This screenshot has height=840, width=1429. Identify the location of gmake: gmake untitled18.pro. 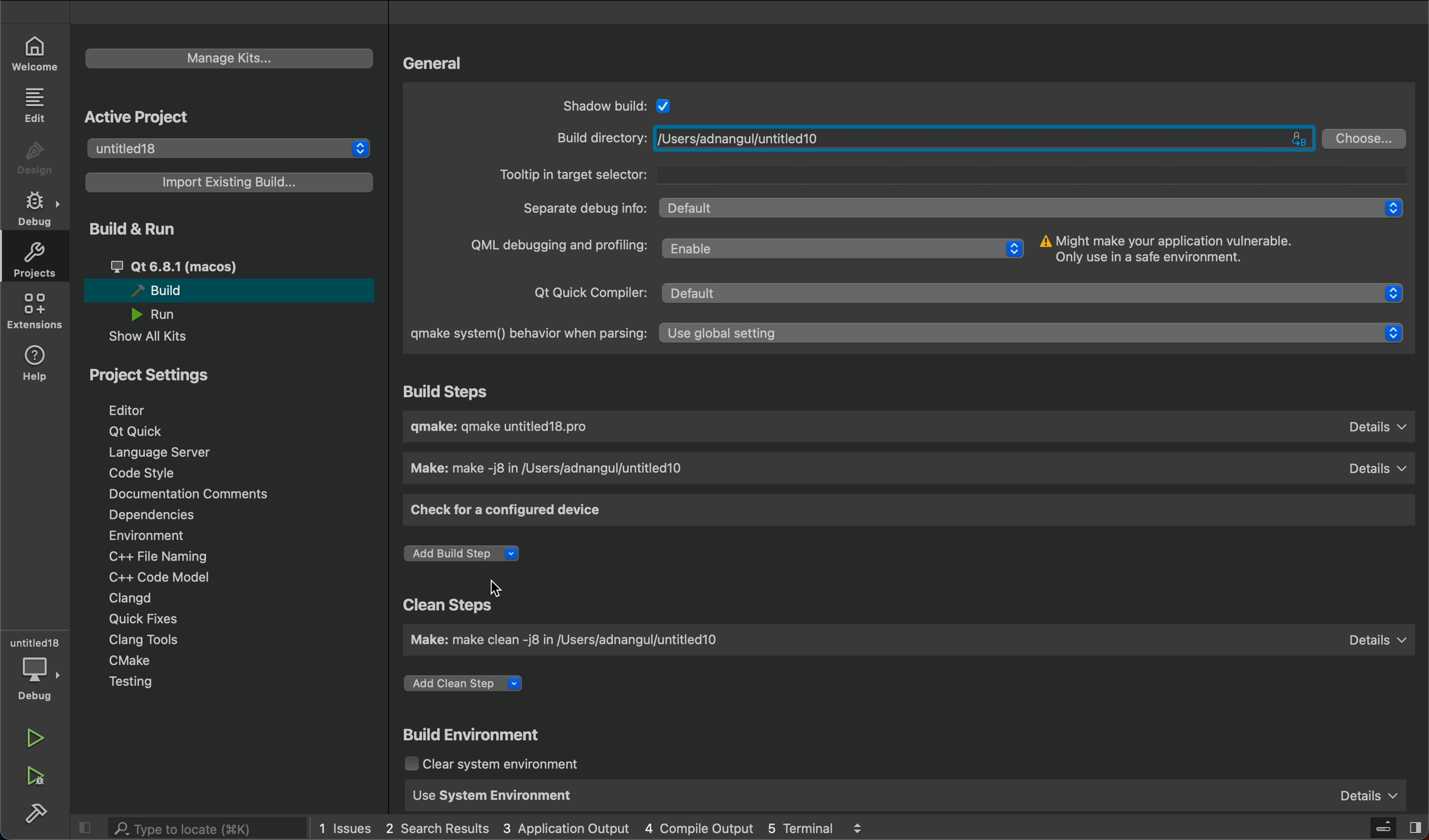
(505, 426).